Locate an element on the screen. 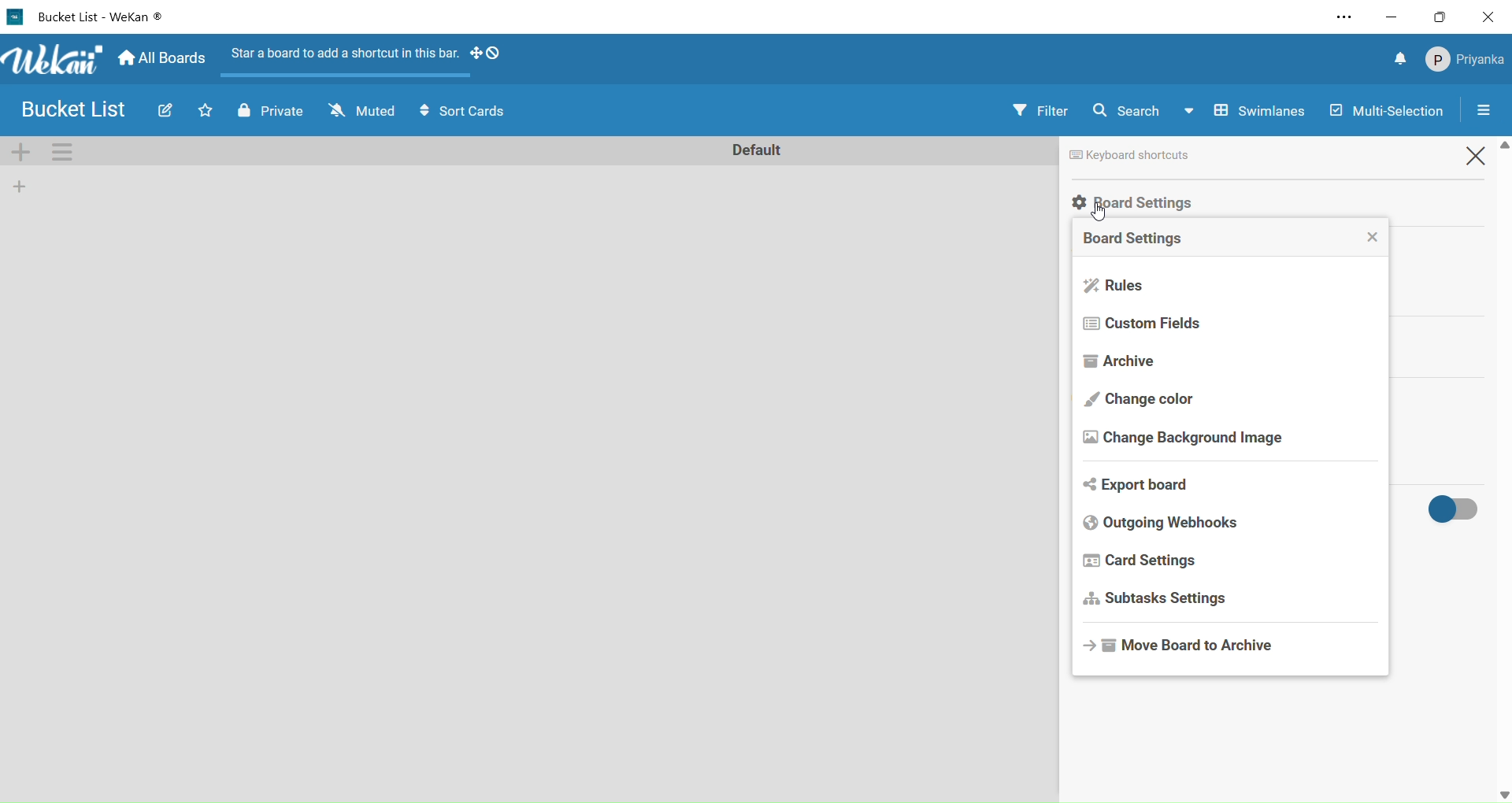  multi-selection is located at coordinates (1392, 109).